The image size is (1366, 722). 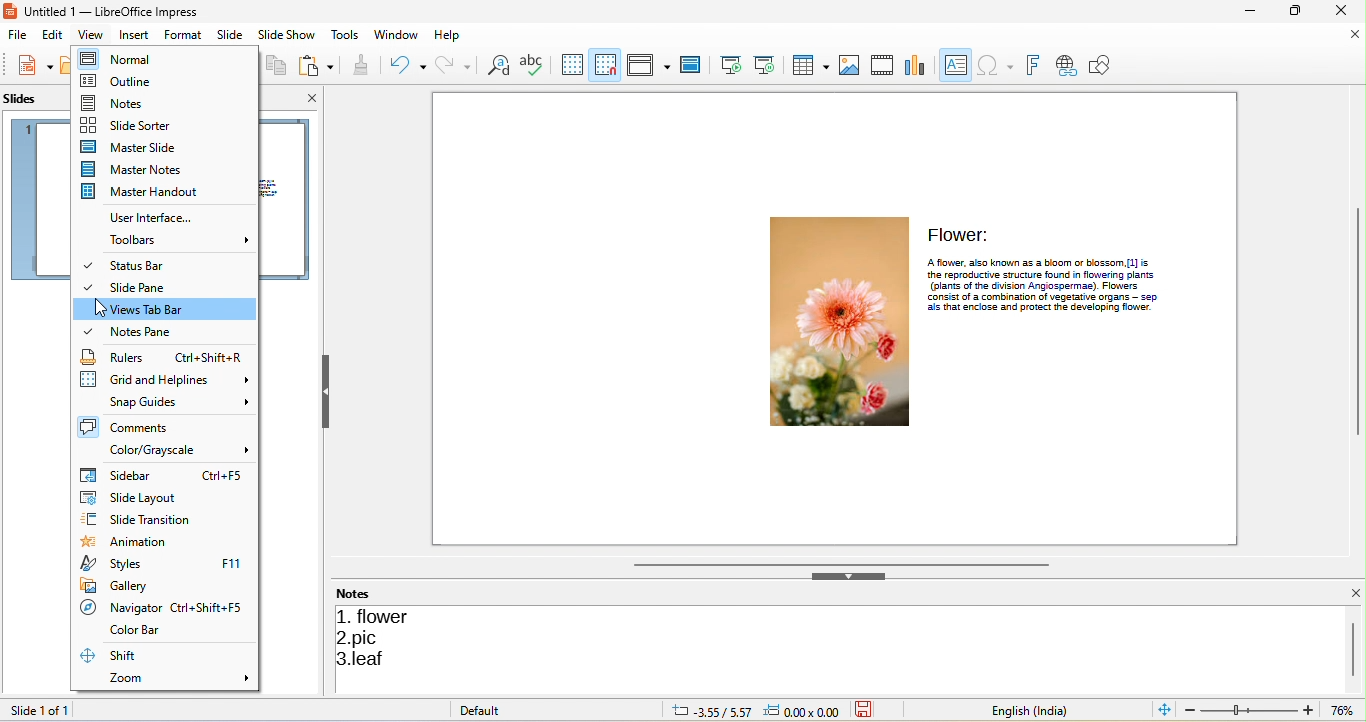 I want to click on notes, so click(x=362, y=593).